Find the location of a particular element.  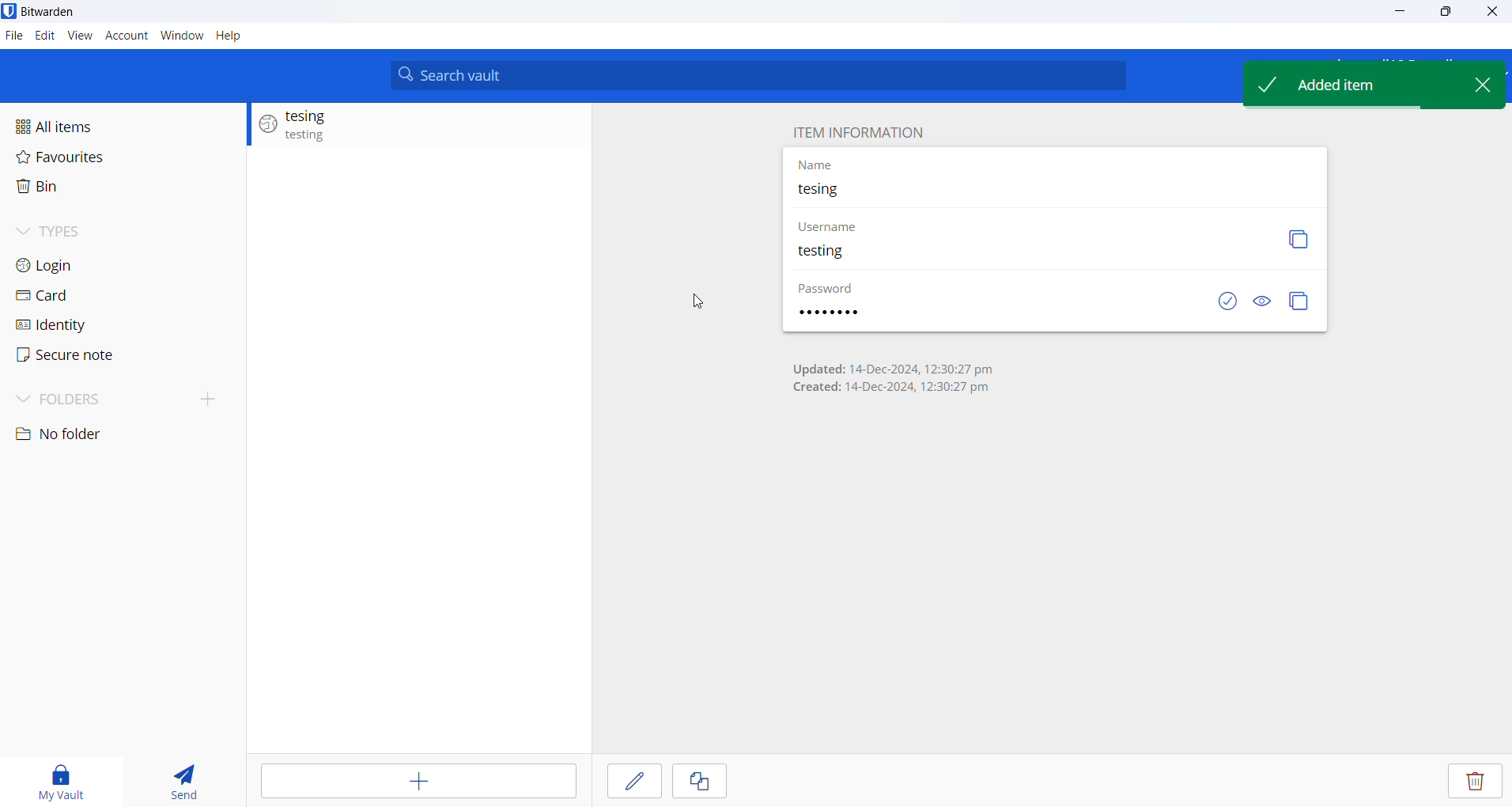

file is located at coordinates (13, 36).